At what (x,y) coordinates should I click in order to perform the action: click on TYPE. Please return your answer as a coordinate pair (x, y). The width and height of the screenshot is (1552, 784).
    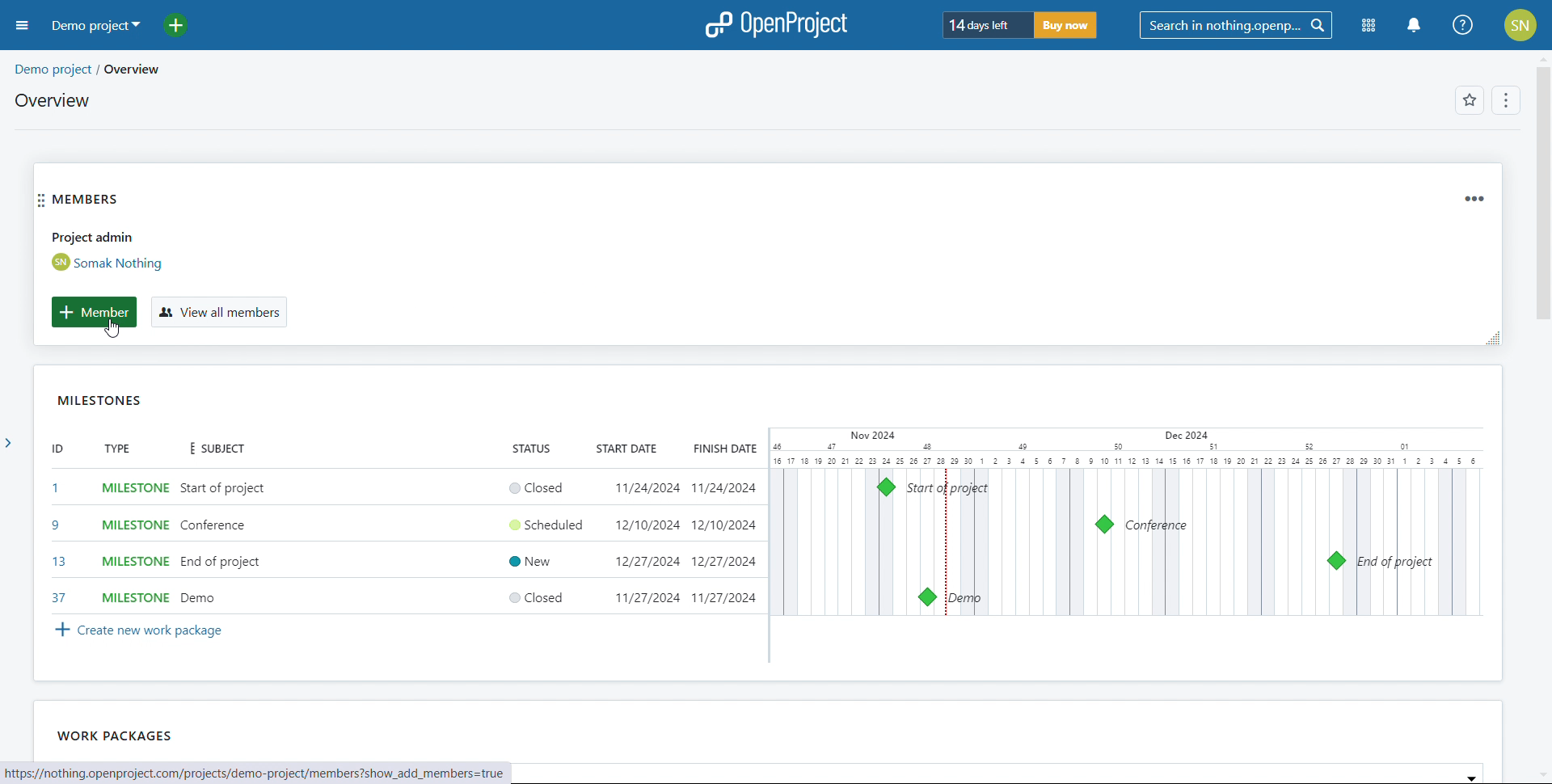
    Looking at the image, I should click on (126, 452).